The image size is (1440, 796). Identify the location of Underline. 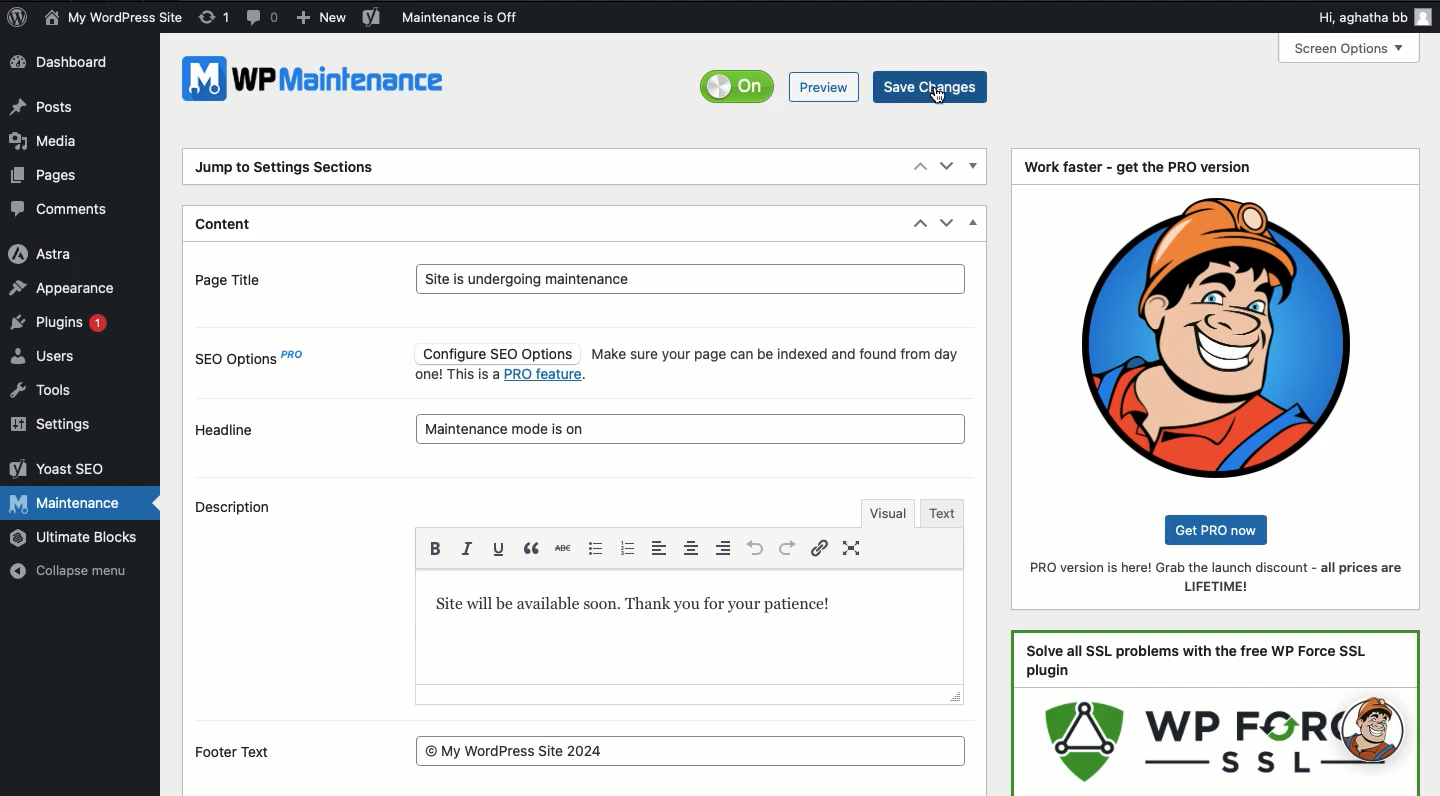
(499, 548).